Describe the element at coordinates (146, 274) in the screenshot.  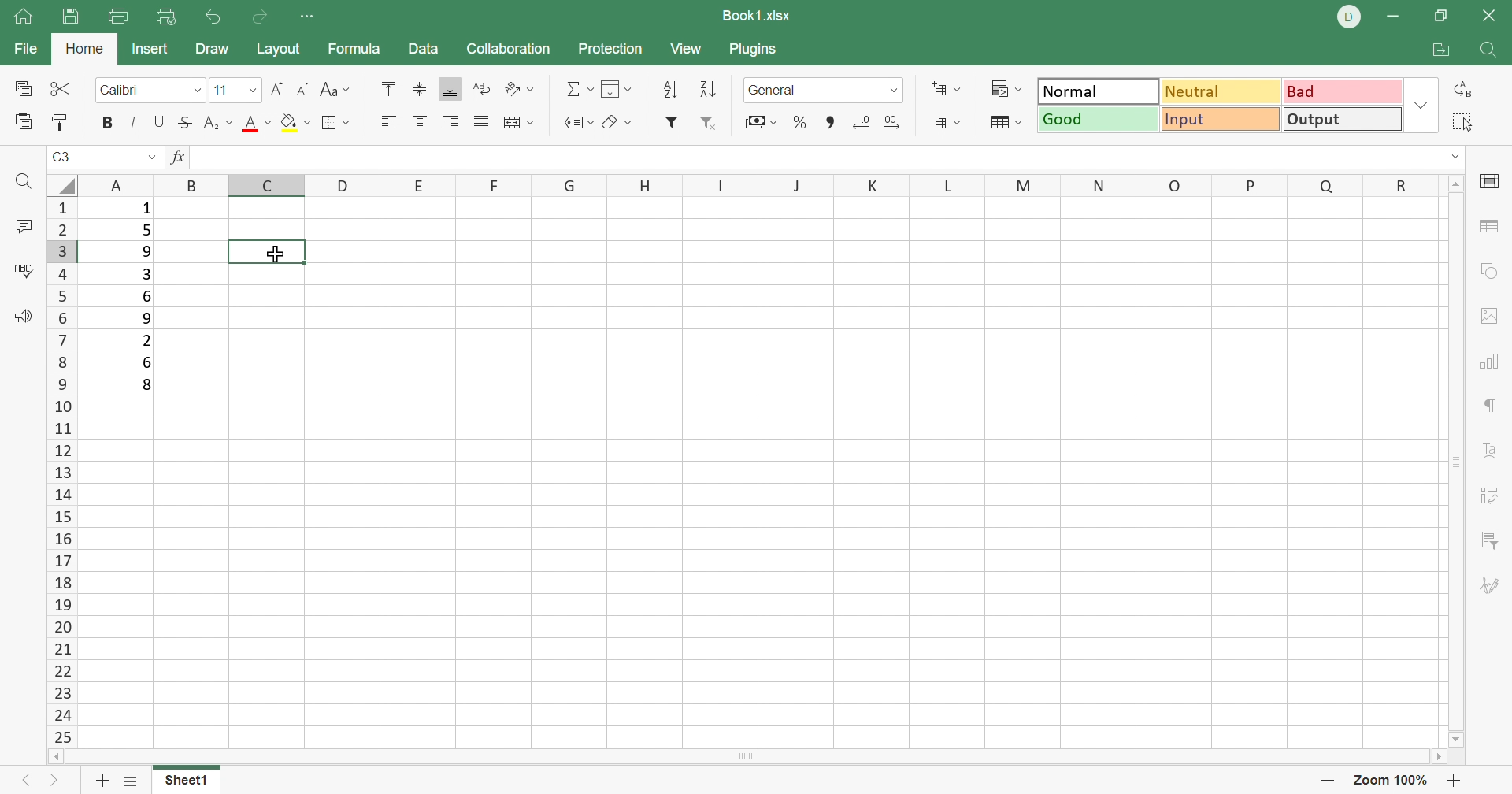
I see `3` at that location.